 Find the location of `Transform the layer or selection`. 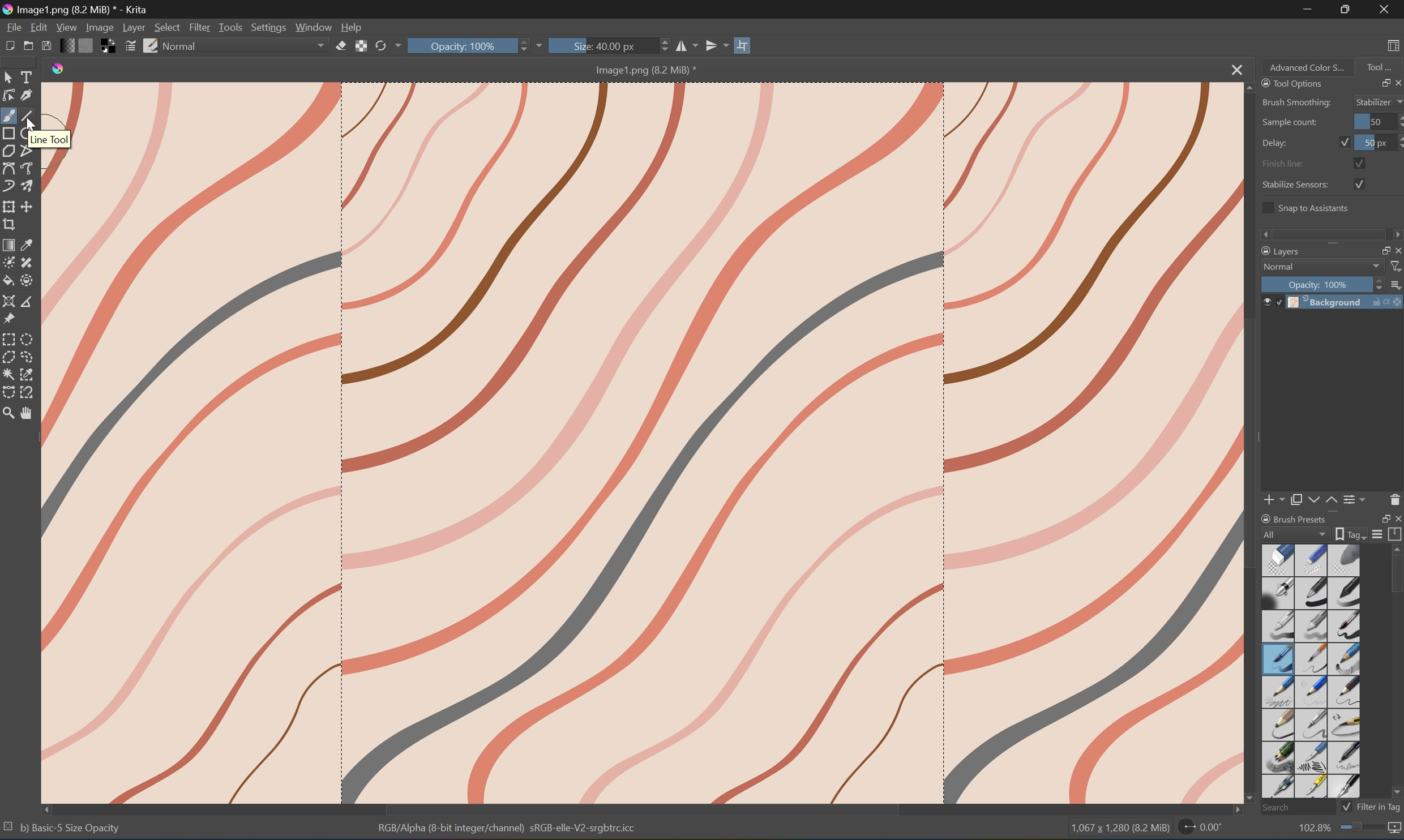

Transform the layer or selection is located at coordinates (9, 206).